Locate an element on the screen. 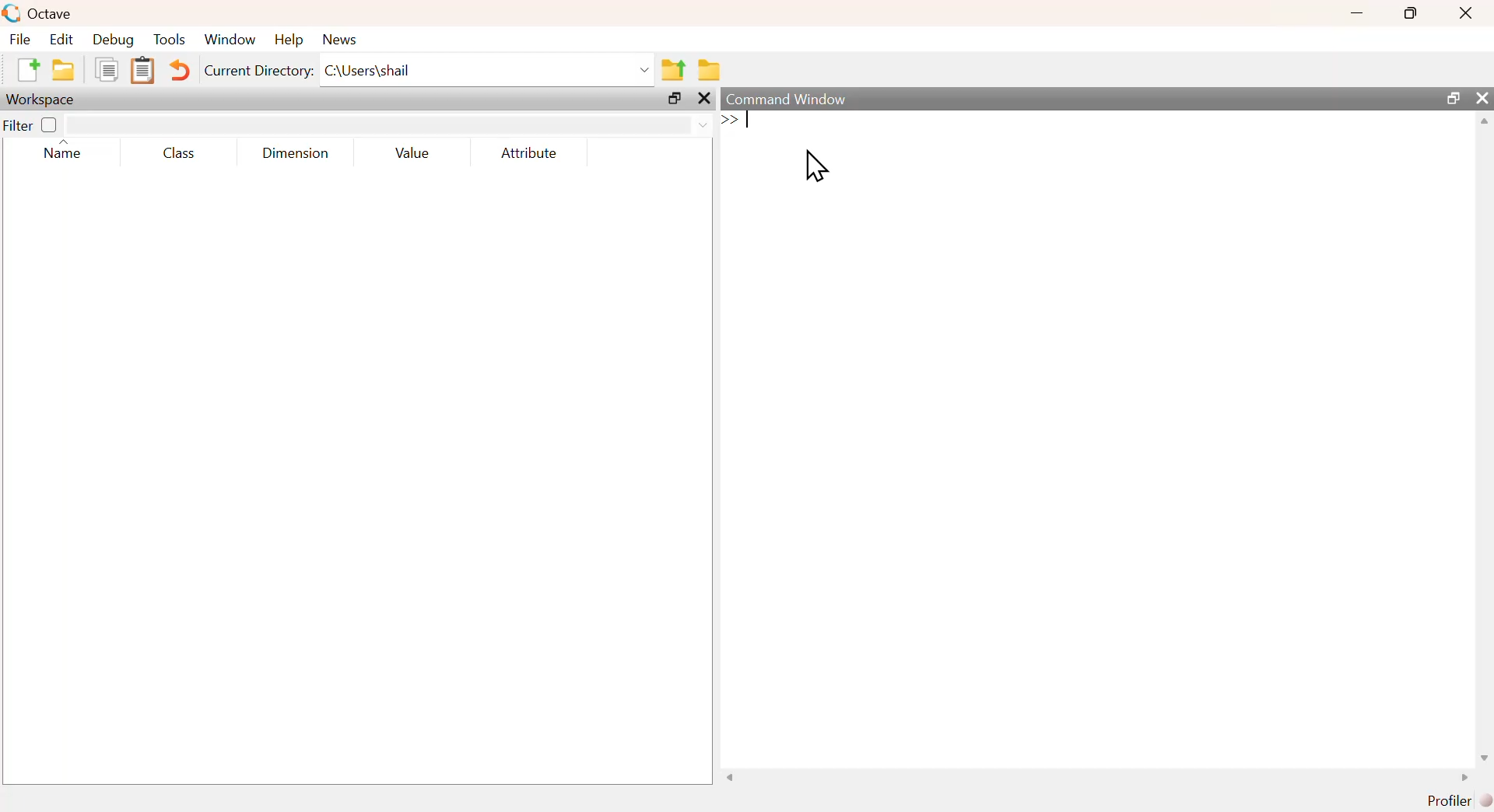 This screenshot has height=812, width=1494. off is located at coordinates (50, 124).